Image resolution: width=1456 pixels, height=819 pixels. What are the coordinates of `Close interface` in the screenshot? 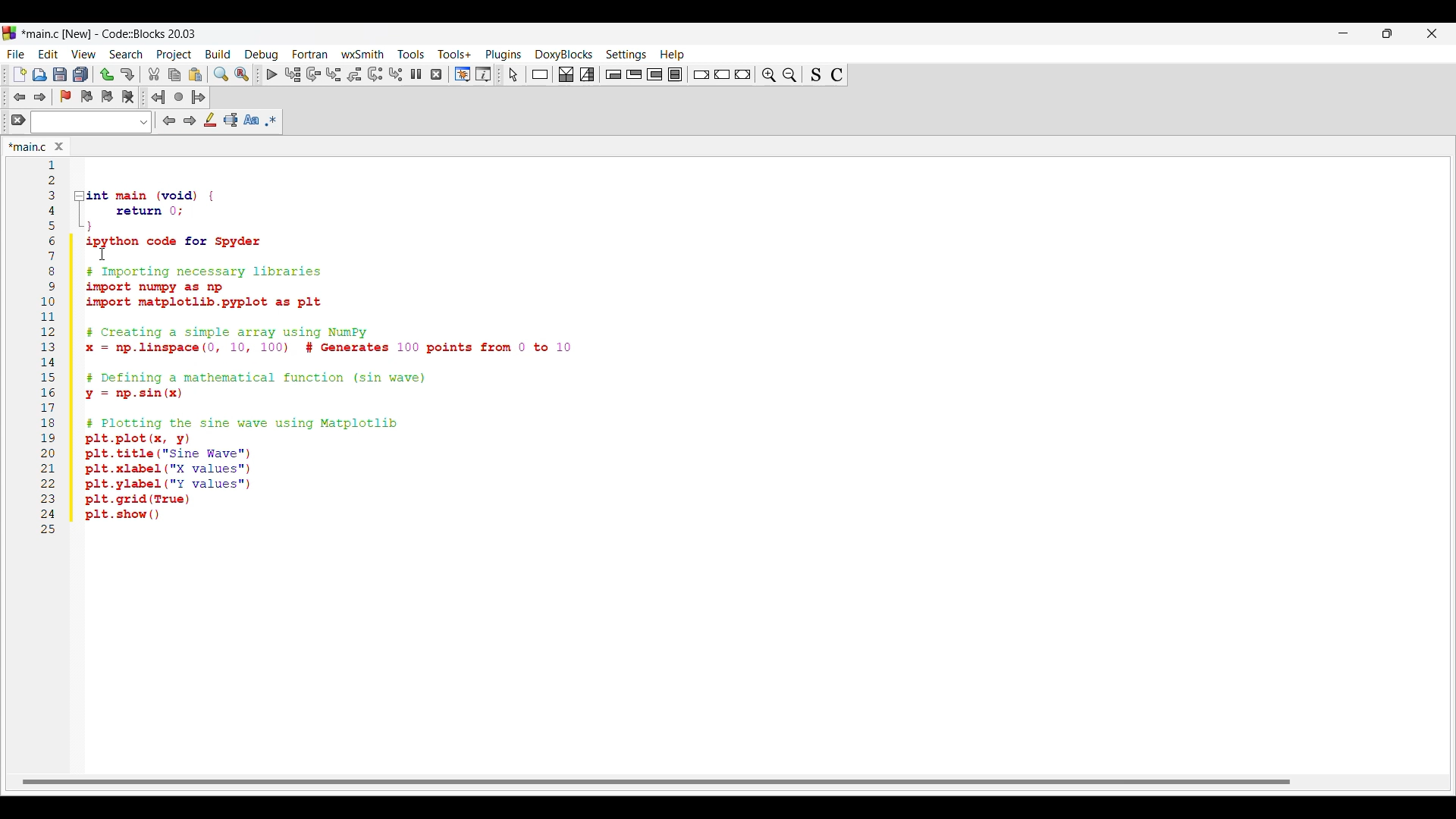 It's located at (1432, 33).